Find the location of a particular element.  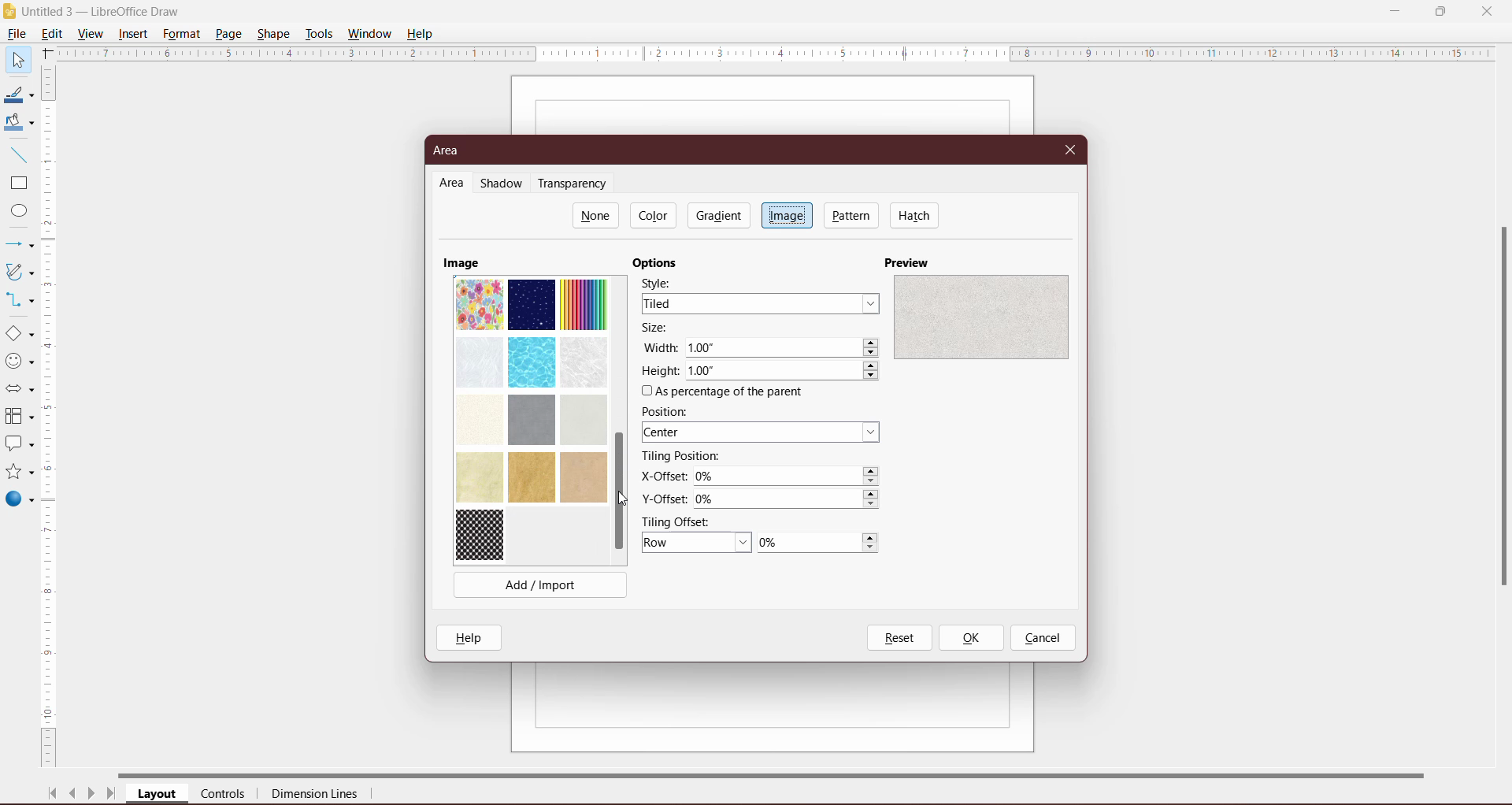

Gradient is located at coordinates (717, 215).